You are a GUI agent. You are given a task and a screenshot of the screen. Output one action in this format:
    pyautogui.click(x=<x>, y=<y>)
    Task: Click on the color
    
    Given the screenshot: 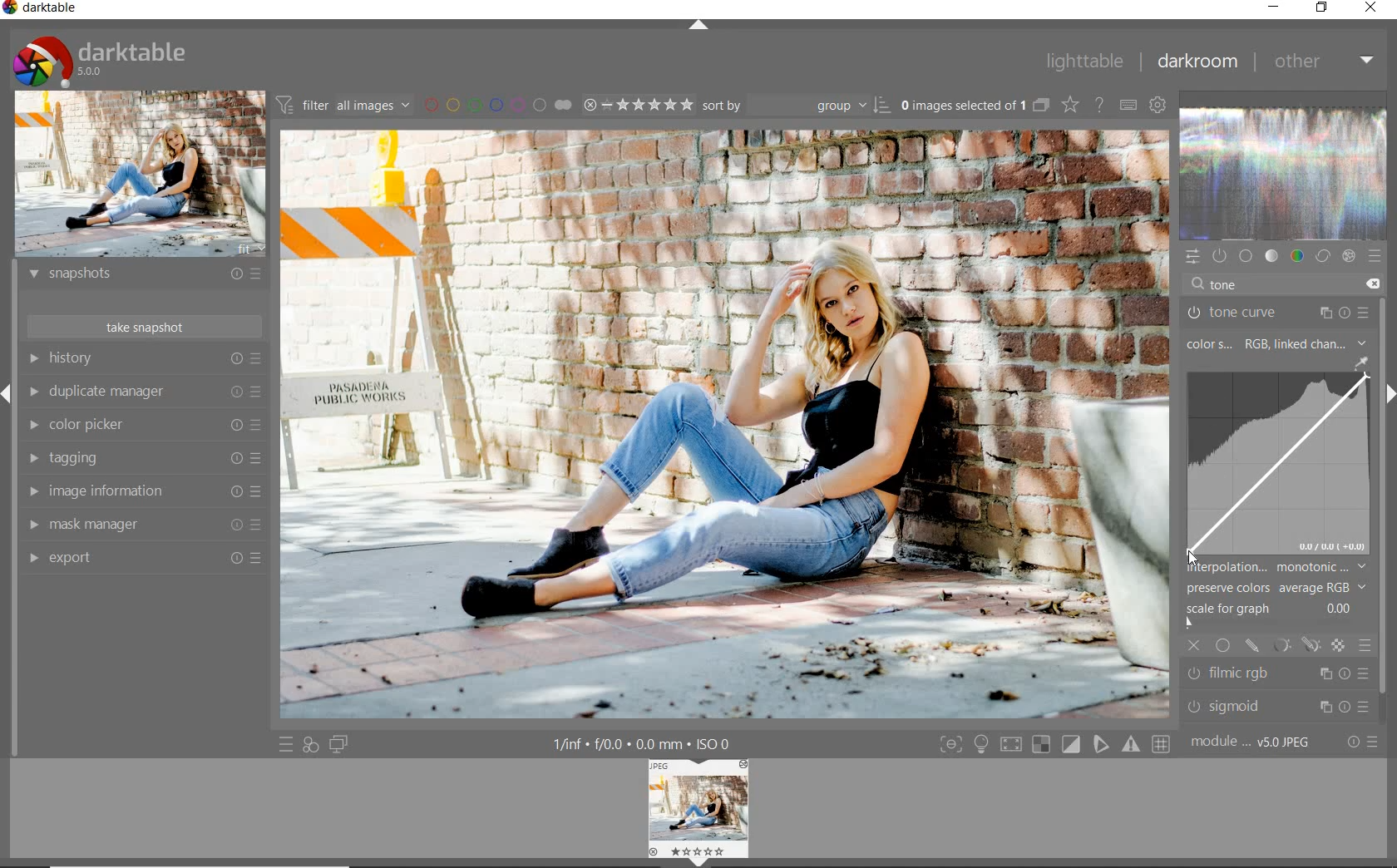 What is the action you would take?
    pyautogui.click(x=1296, y=257)
    